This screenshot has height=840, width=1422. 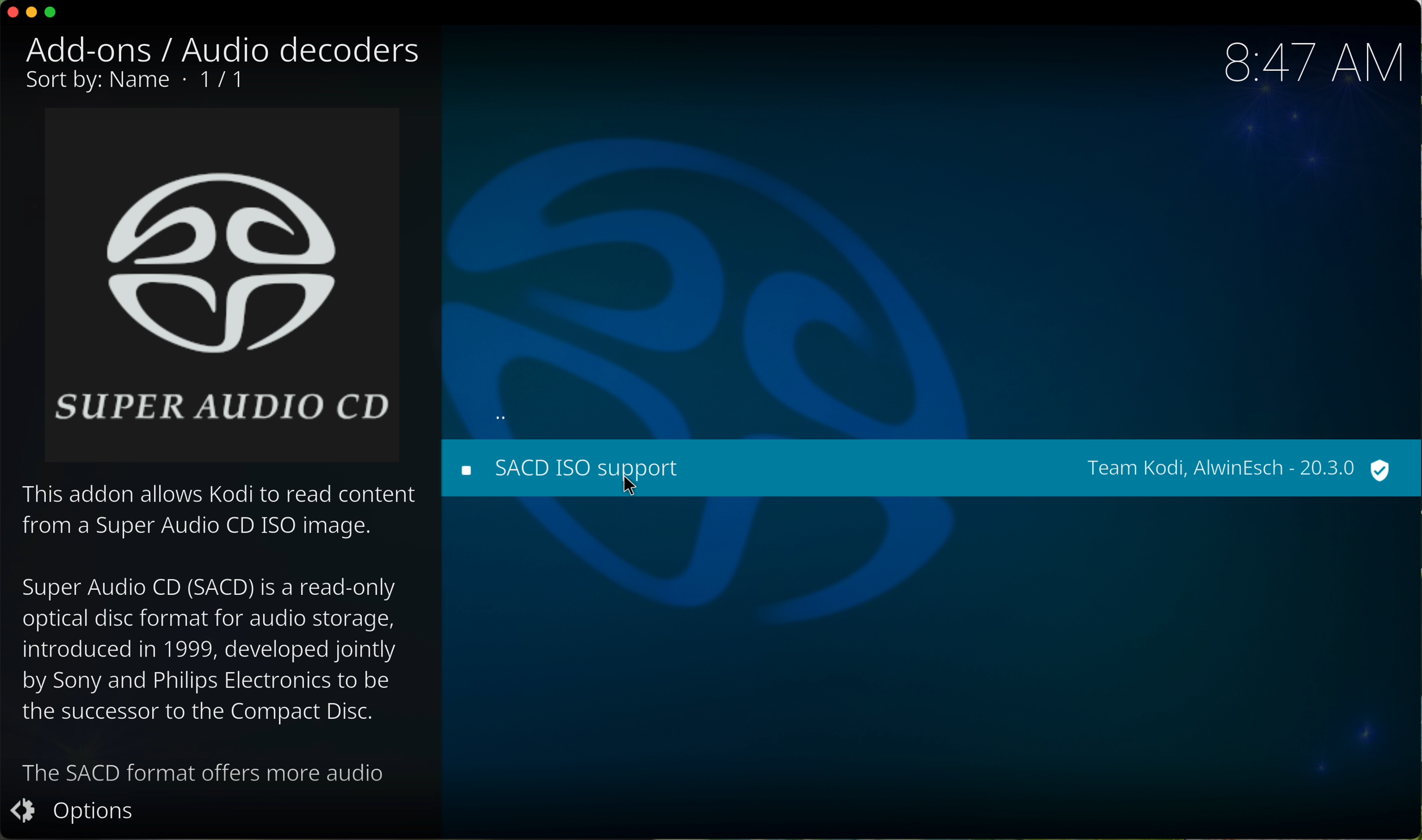 I want to click on 1/1, so click(x=138, y=83).